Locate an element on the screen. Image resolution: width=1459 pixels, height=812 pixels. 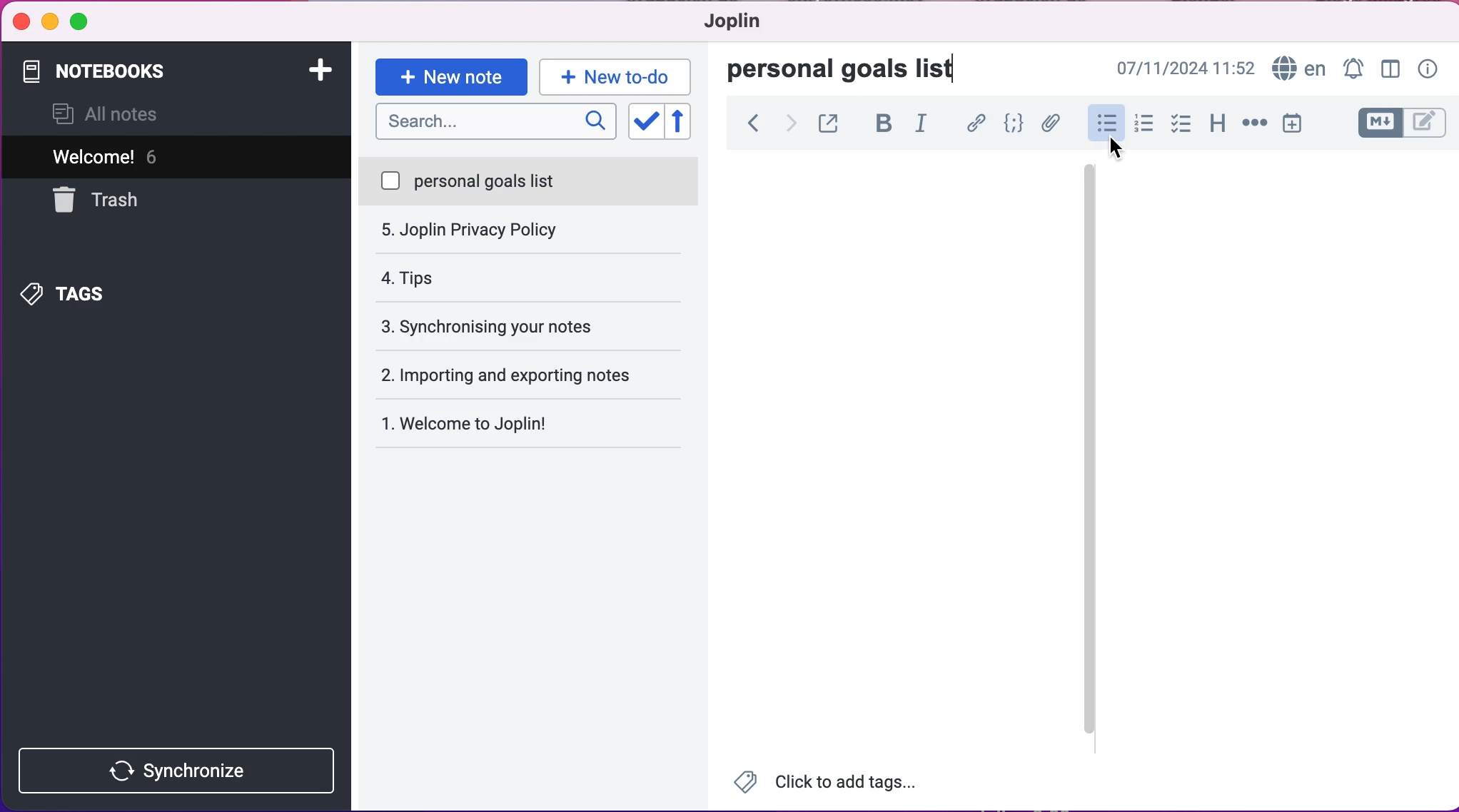
07/11/2024 09:03 is located at coordinates (1183, 66).